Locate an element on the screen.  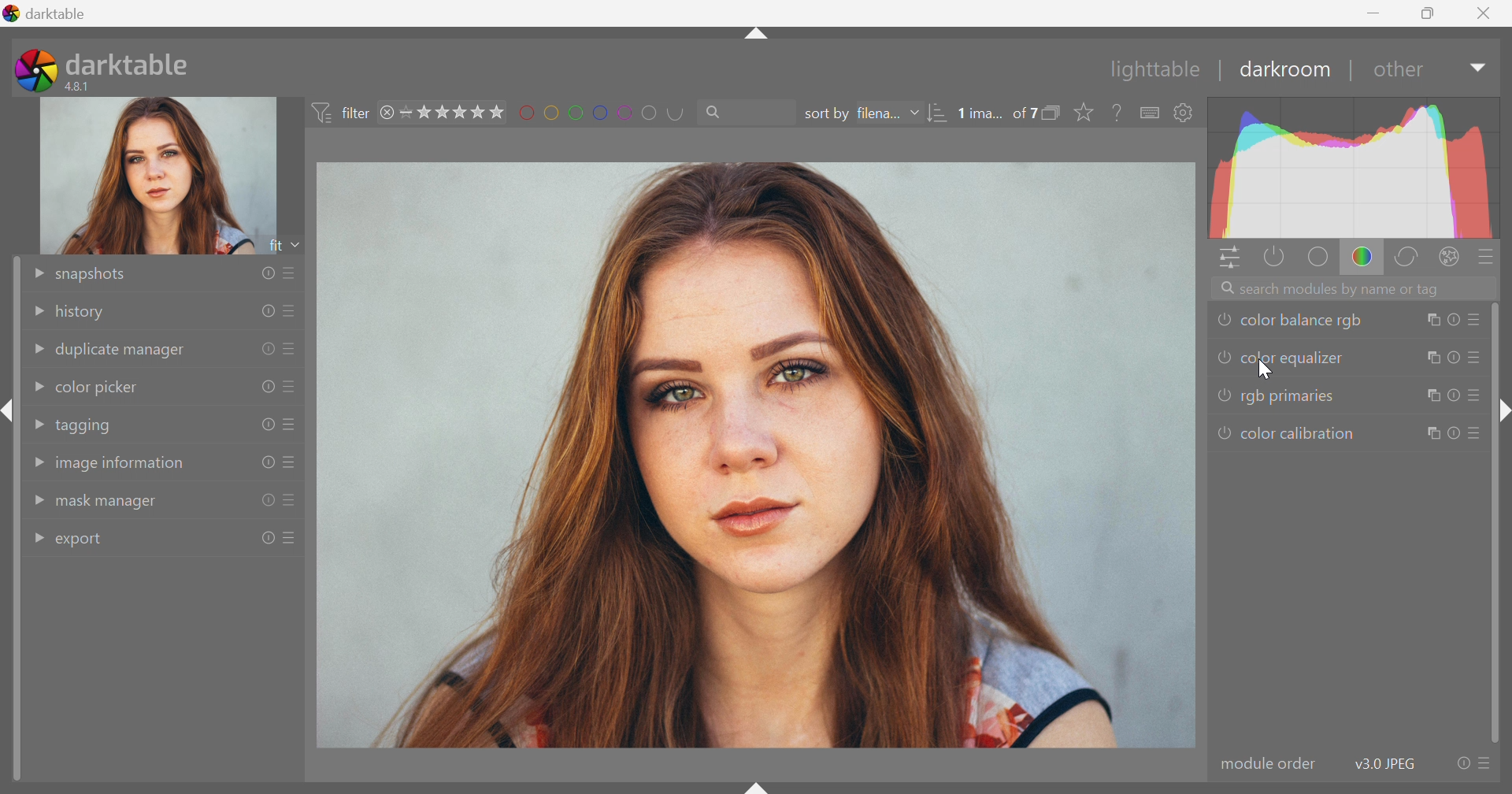
effect is located at coordinates (1450, 255).